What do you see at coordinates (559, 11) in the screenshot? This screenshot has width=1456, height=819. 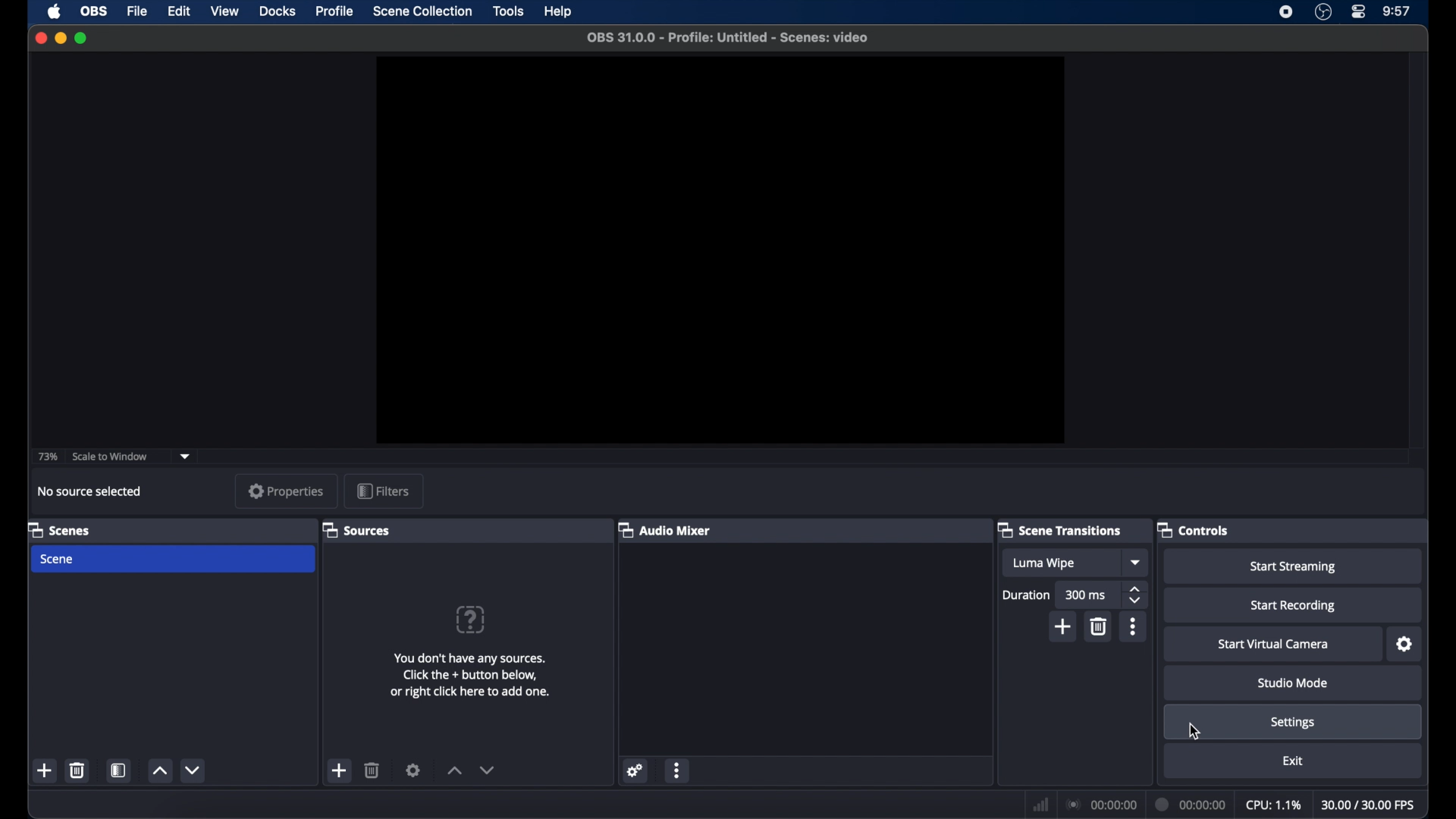 I see `help` at bounding box center [559, 11].